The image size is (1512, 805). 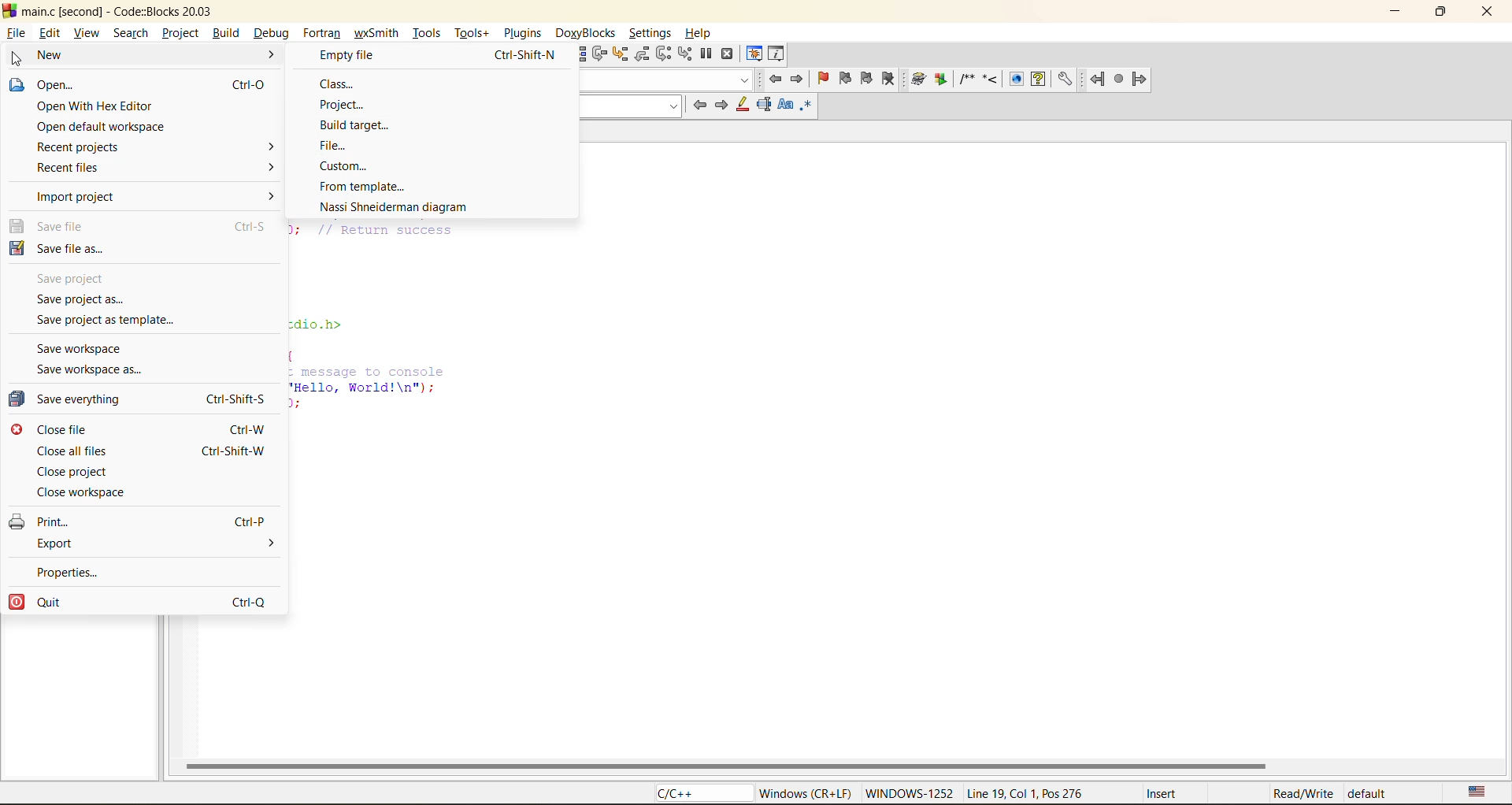 What do you see at coordinates (81, 491) in the screenshot?
I see `close workspace` at bounding box center [81, 491].